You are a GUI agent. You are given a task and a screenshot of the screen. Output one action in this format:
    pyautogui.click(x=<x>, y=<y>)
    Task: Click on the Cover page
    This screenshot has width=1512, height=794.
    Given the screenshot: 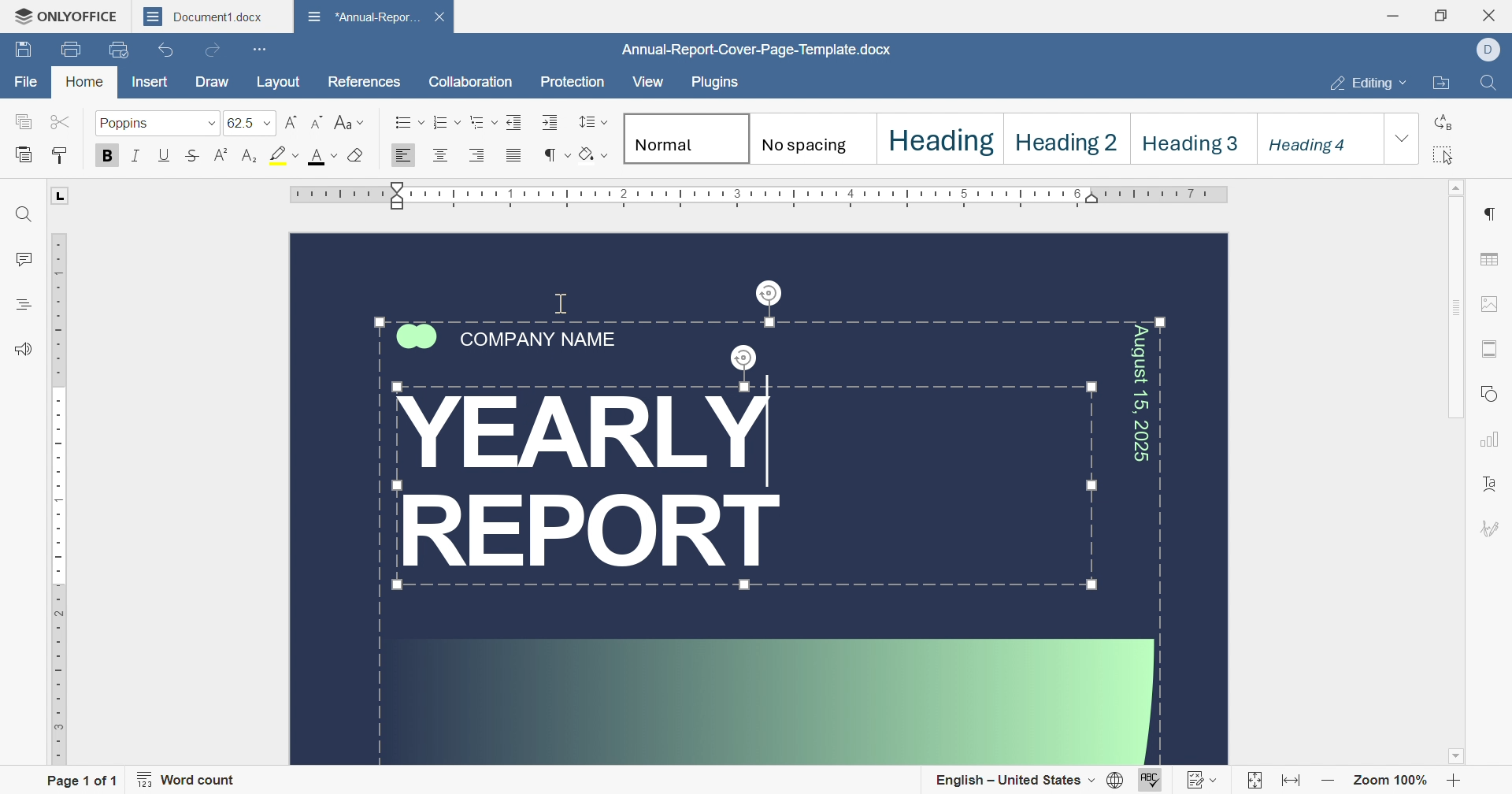 What is the action you would take?
    pyautogui.click(x=758, y=496)
    